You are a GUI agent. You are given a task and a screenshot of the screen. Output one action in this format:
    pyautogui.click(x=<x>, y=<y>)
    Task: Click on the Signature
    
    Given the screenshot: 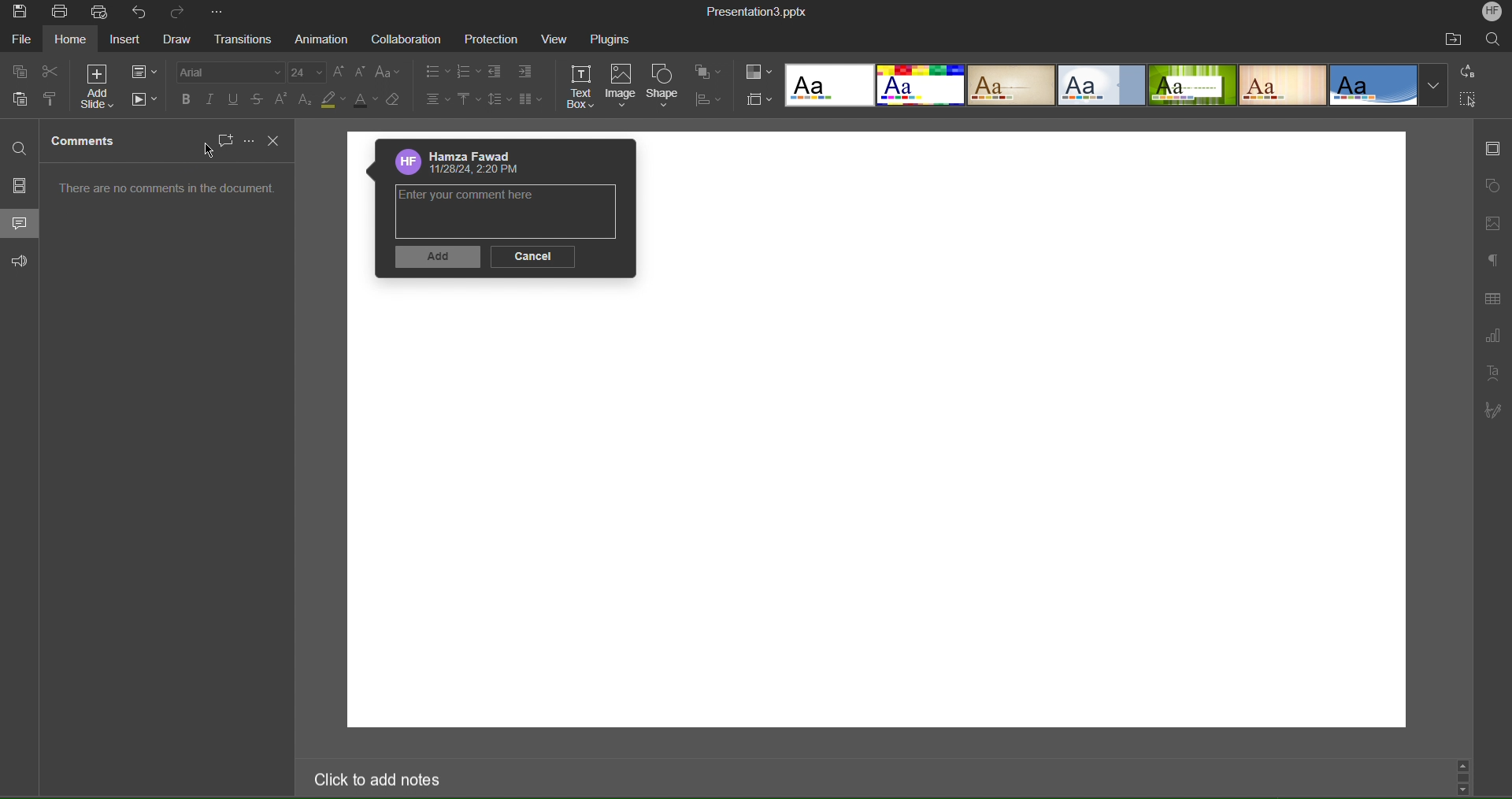 What is the action you would take?
    pyautogui.click(x=1492, y=412)
    